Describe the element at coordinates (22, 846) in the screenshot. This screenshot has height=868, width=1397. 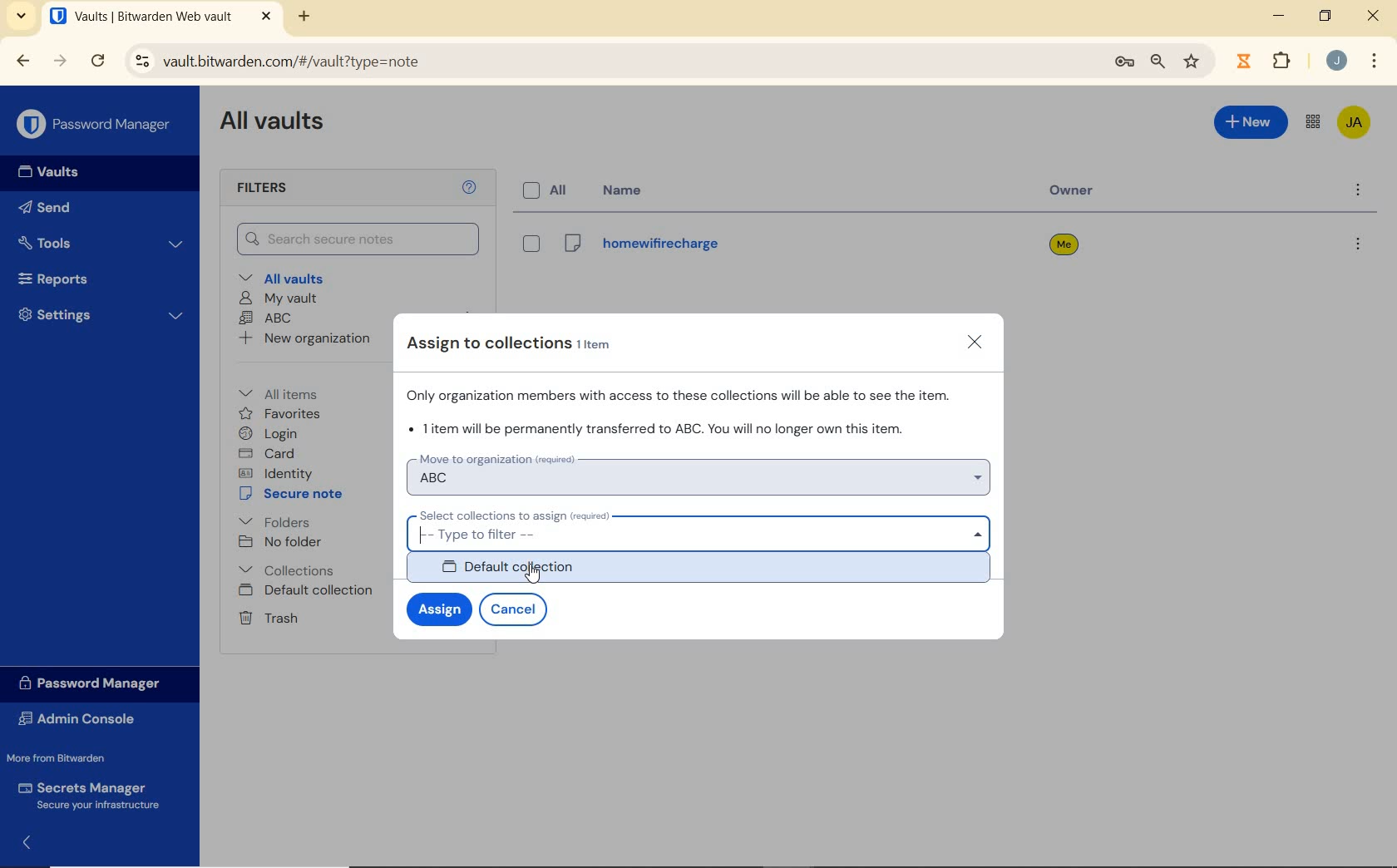
I see `expand/collapse` at that location.